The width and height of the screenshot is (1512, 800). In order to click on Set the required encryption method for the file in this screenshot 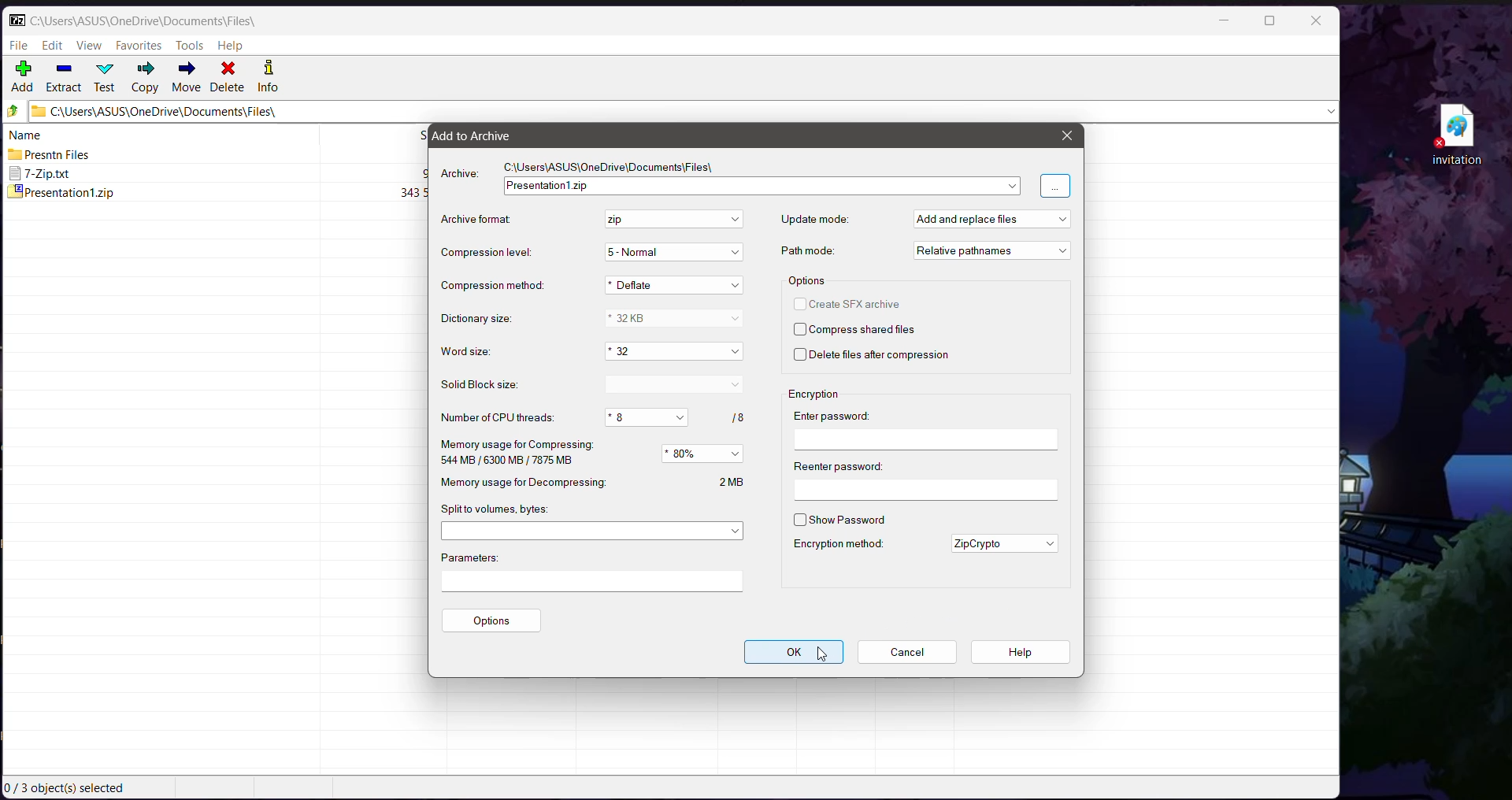, I will do `click(1004, 543)`.